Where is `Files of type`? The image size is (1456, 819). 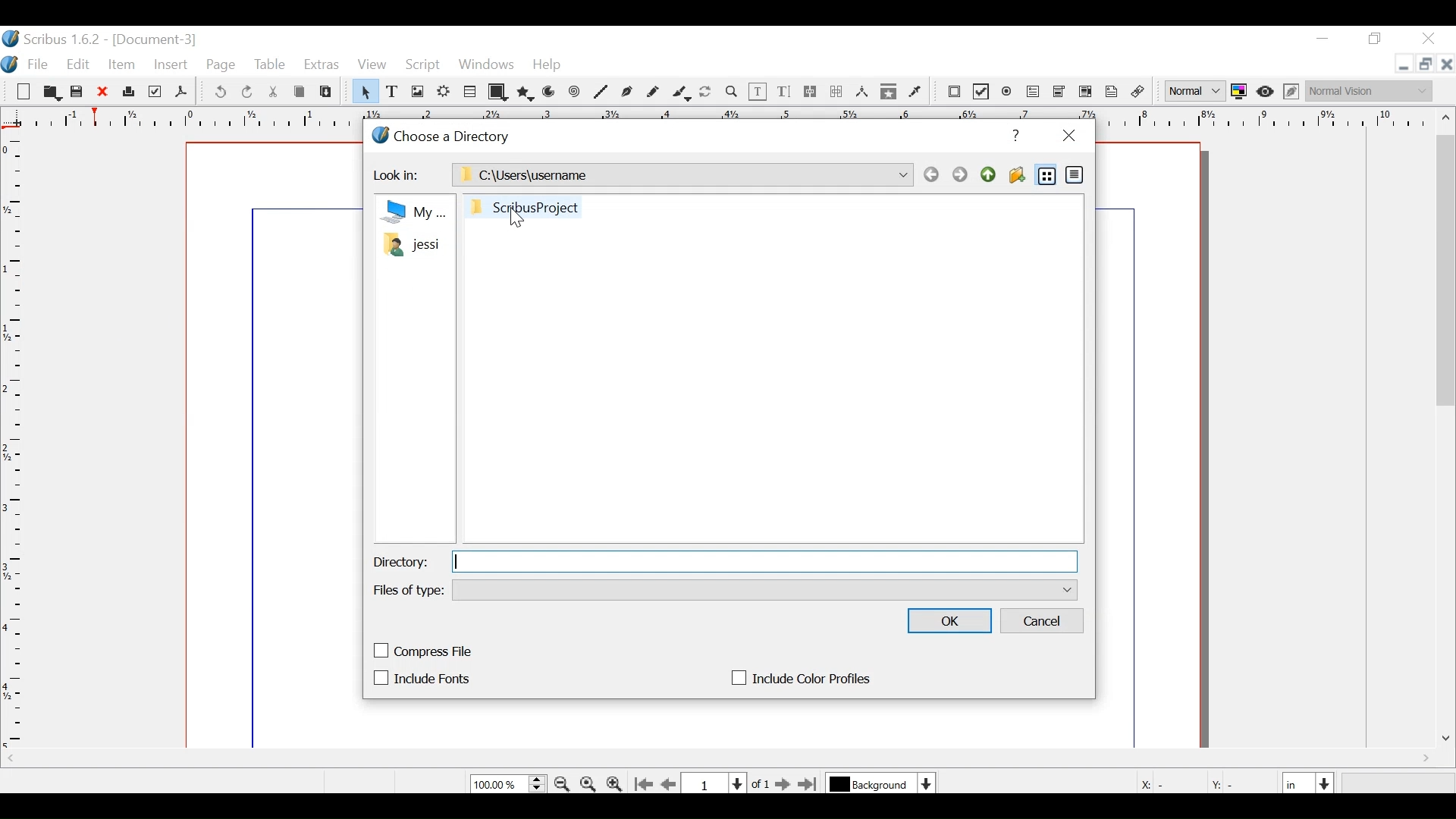
Files of type is located at coordinates (410, 590).